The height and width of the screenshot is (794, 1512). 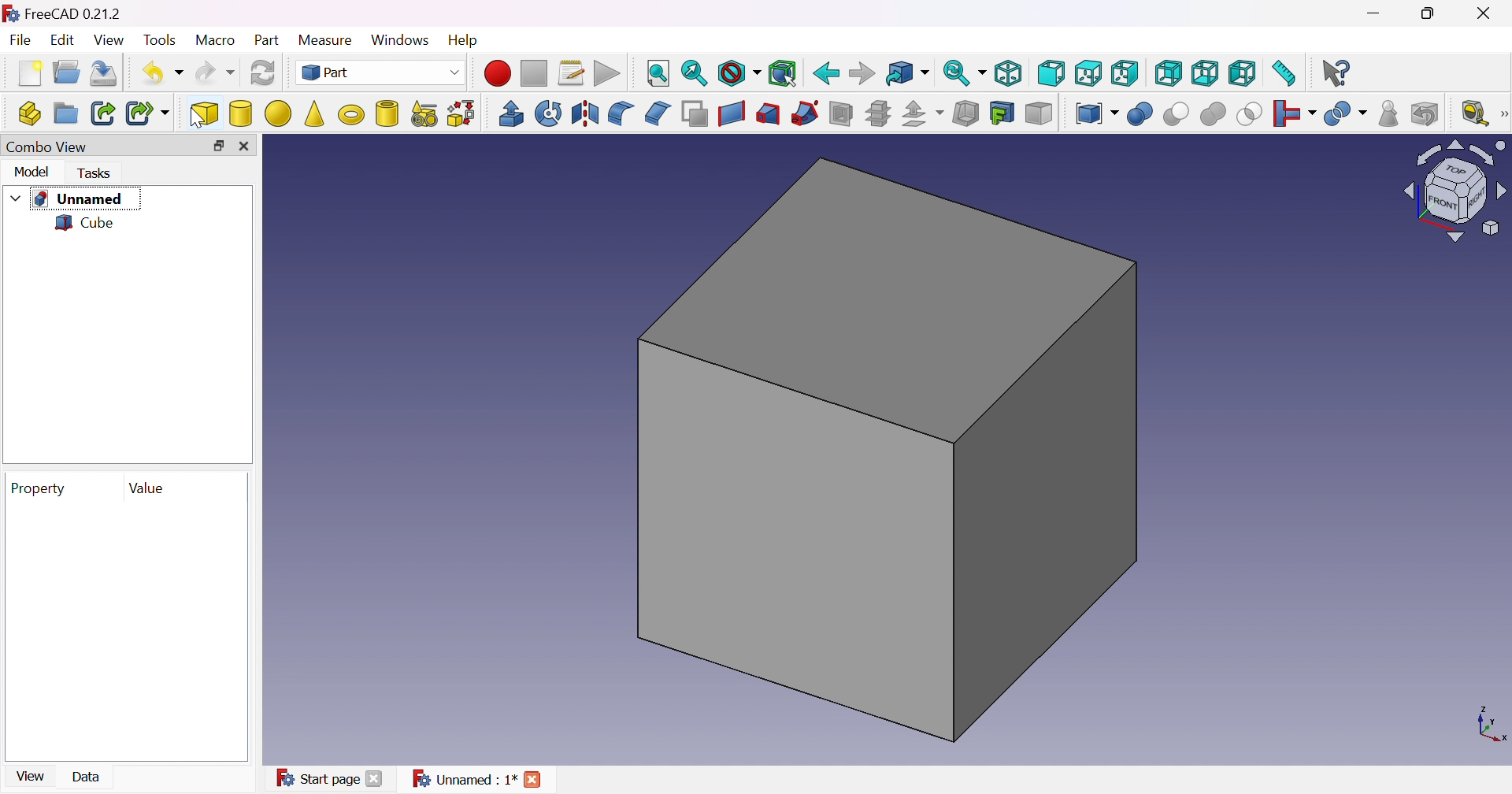 What do you see at coordinates (1455, 192) in the screenshot?
I see `Viewing angle` at bounding box center [1455, 192].